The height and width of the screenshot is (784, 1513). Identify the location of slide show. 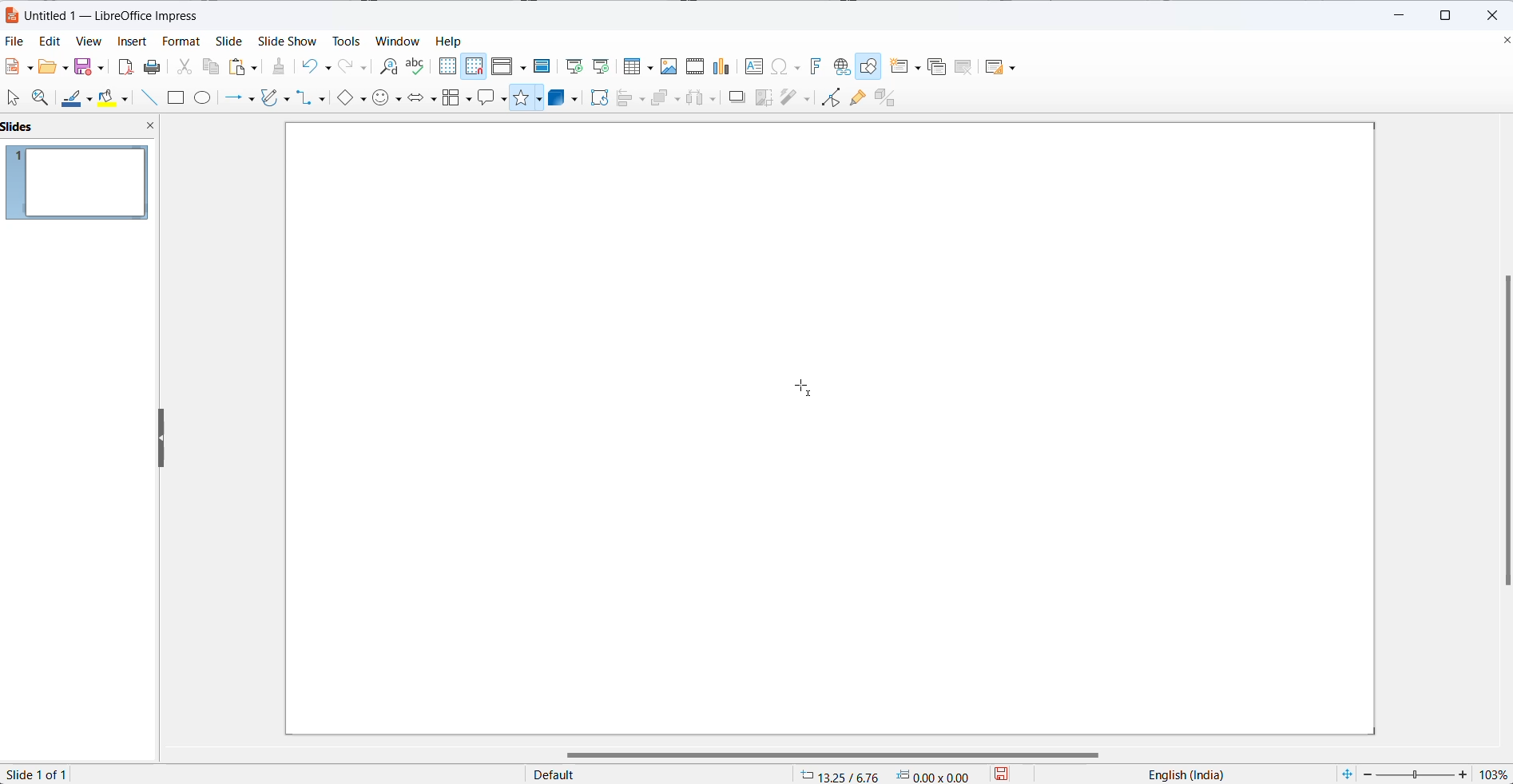
(287, 41).